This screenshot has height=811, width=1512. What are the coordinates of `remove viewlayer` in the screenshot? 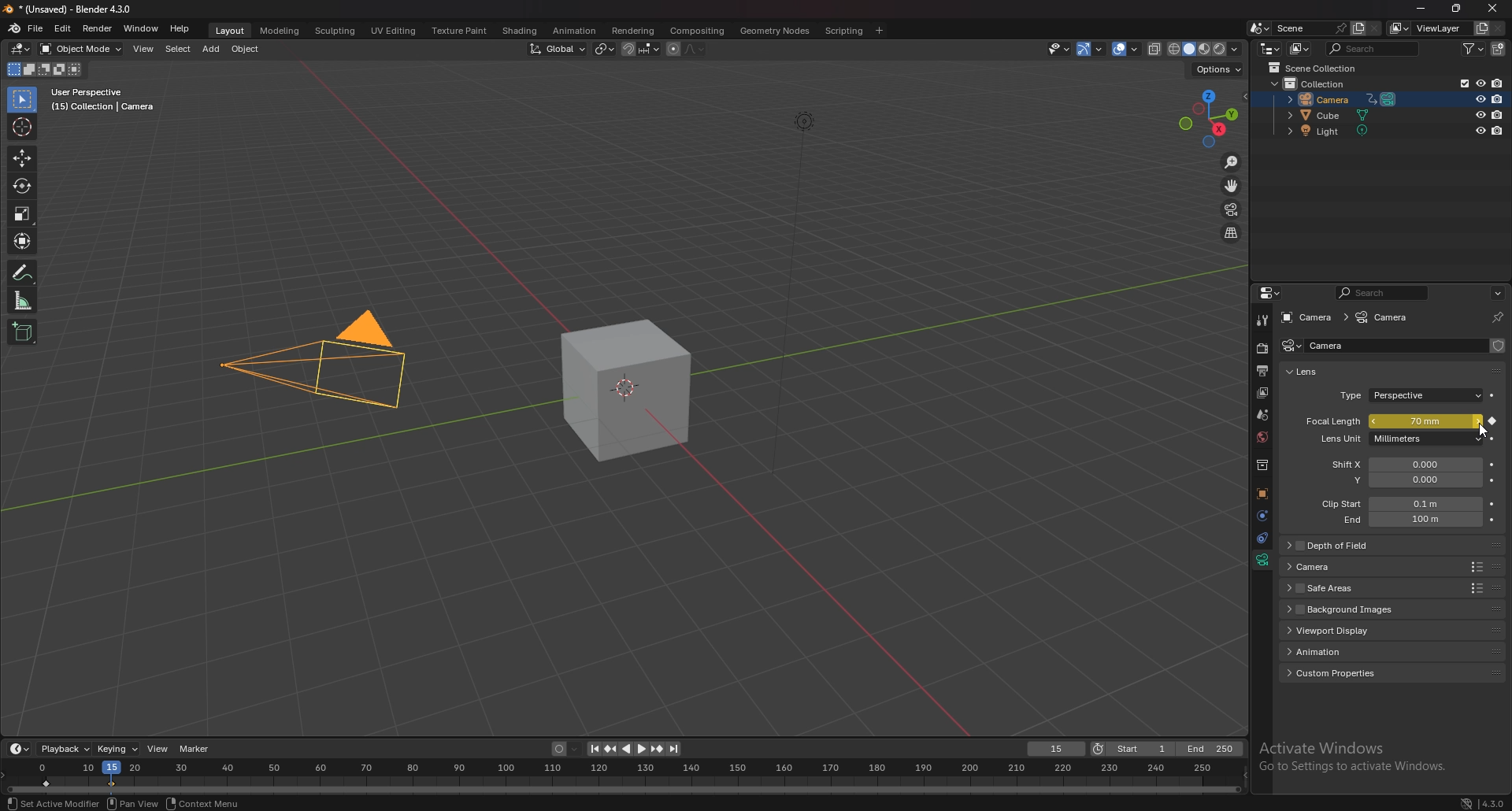 It's located at (1499, 28).